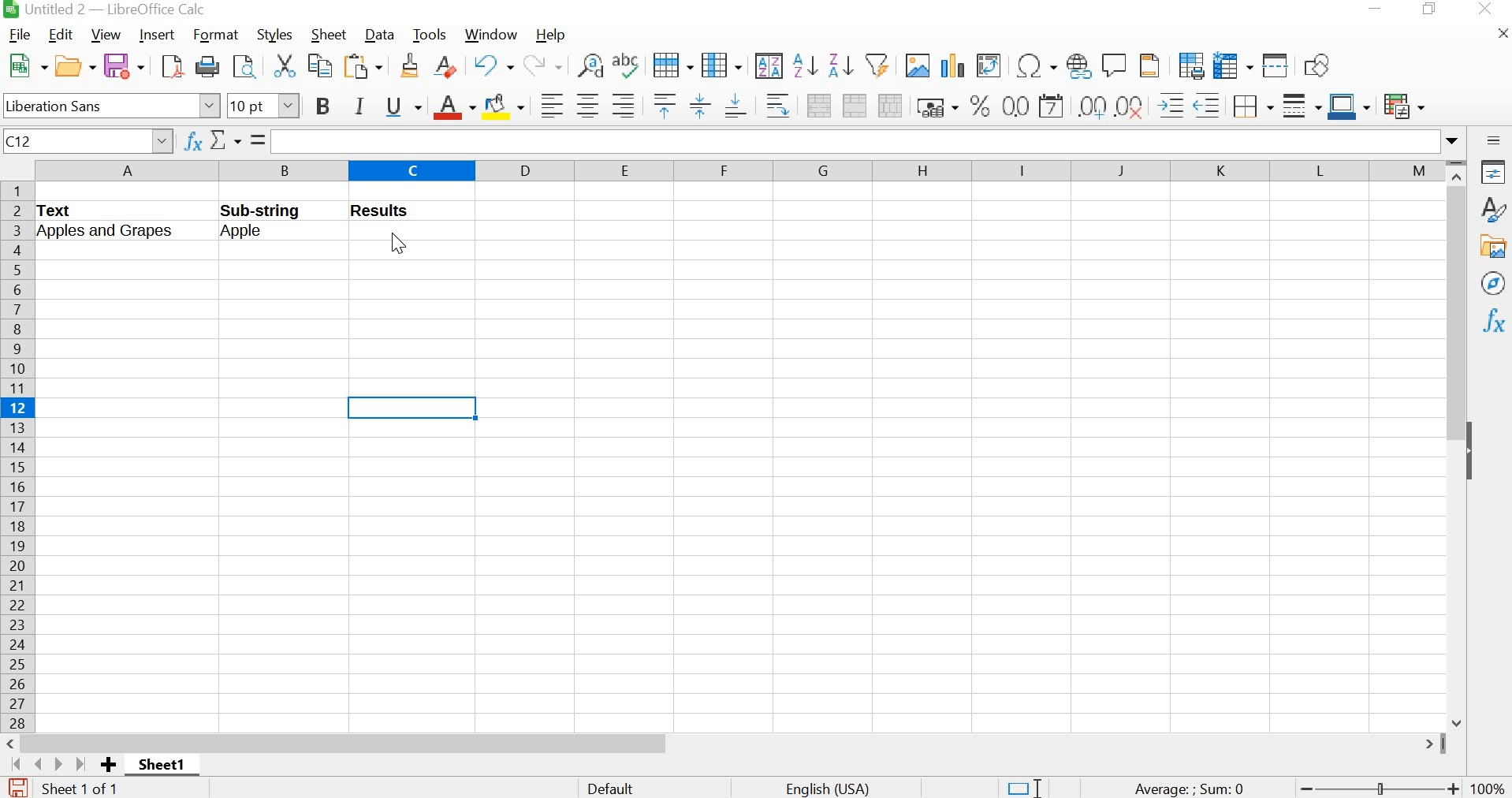  I want to click on open, so click(74, 63).